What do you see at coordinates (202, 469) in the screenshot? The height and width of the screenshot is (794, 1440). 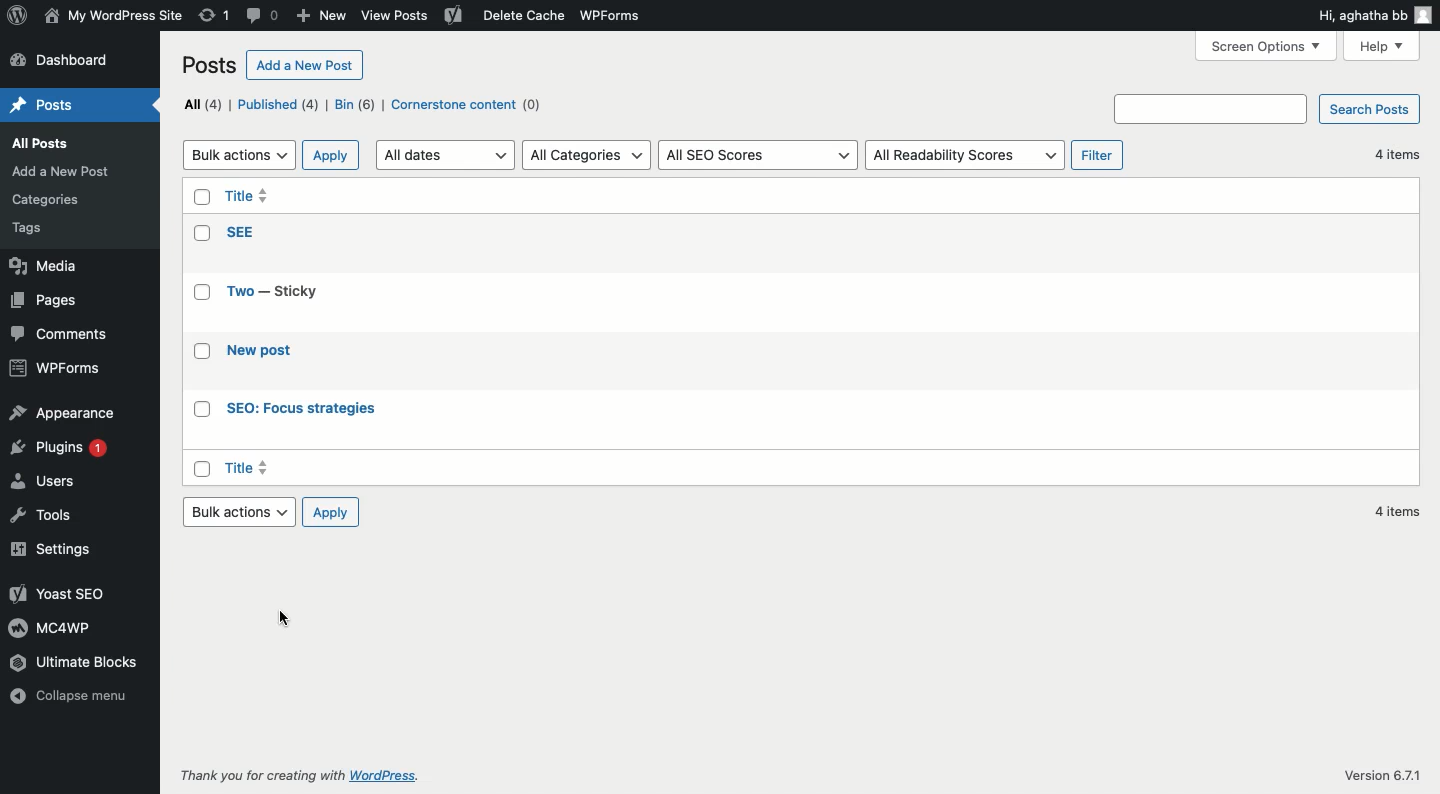 I see `Checkbox` at bounding box center [202, 469].